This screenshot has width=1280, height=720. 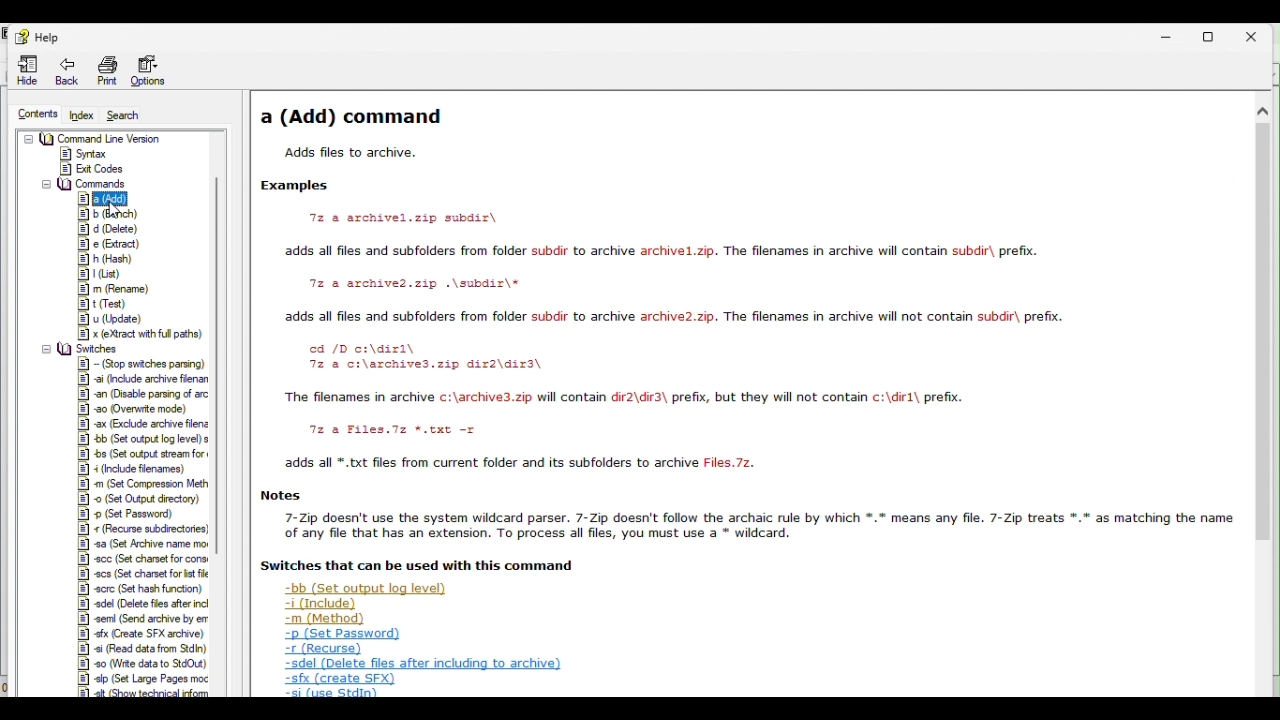 What do you see at coordinates (117, 209) in the screenshot?
I see `Cursor` at bounding box center [117, 209].